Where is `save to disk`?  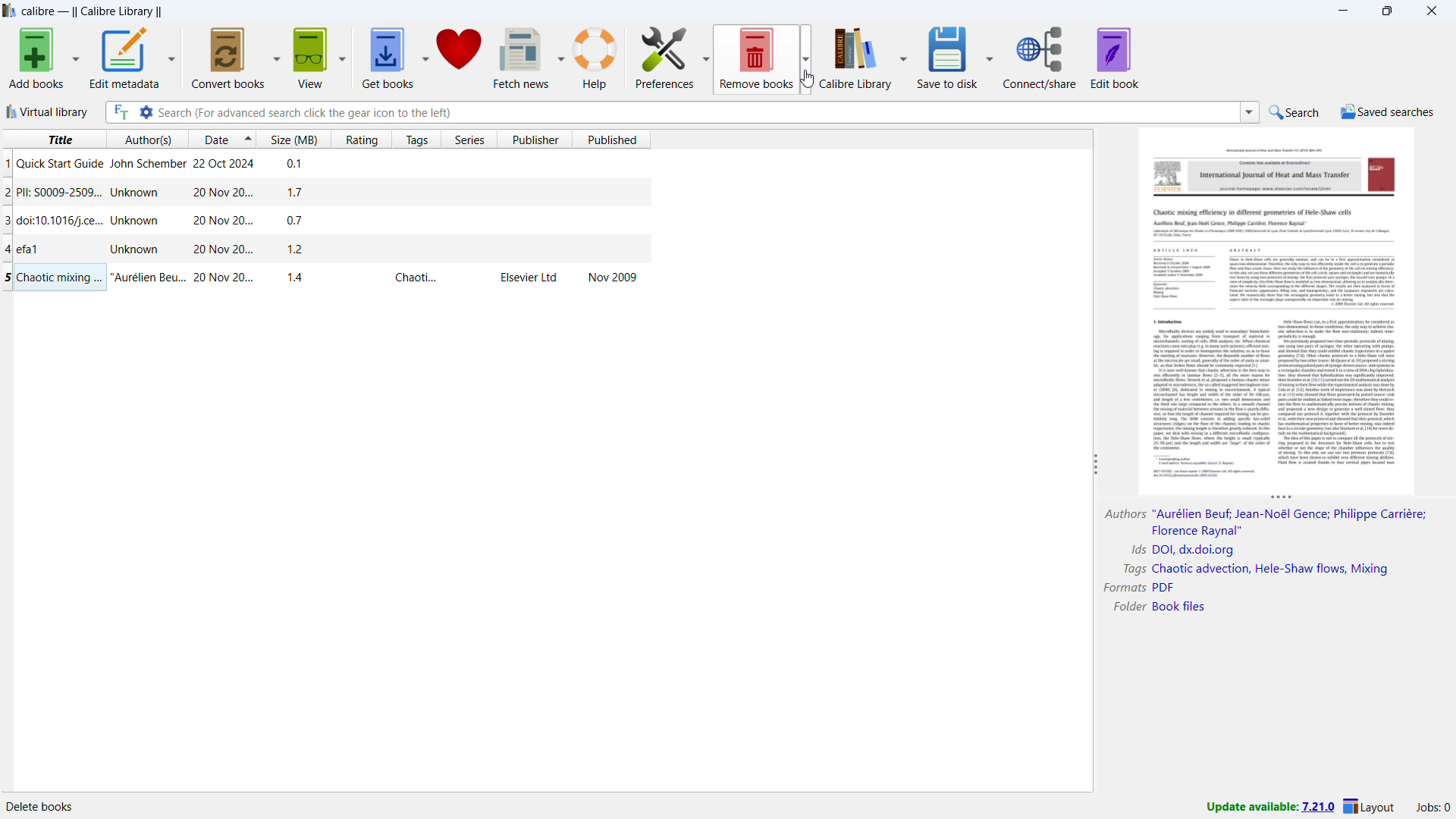
save to disk is located at coordinates (946, 56).